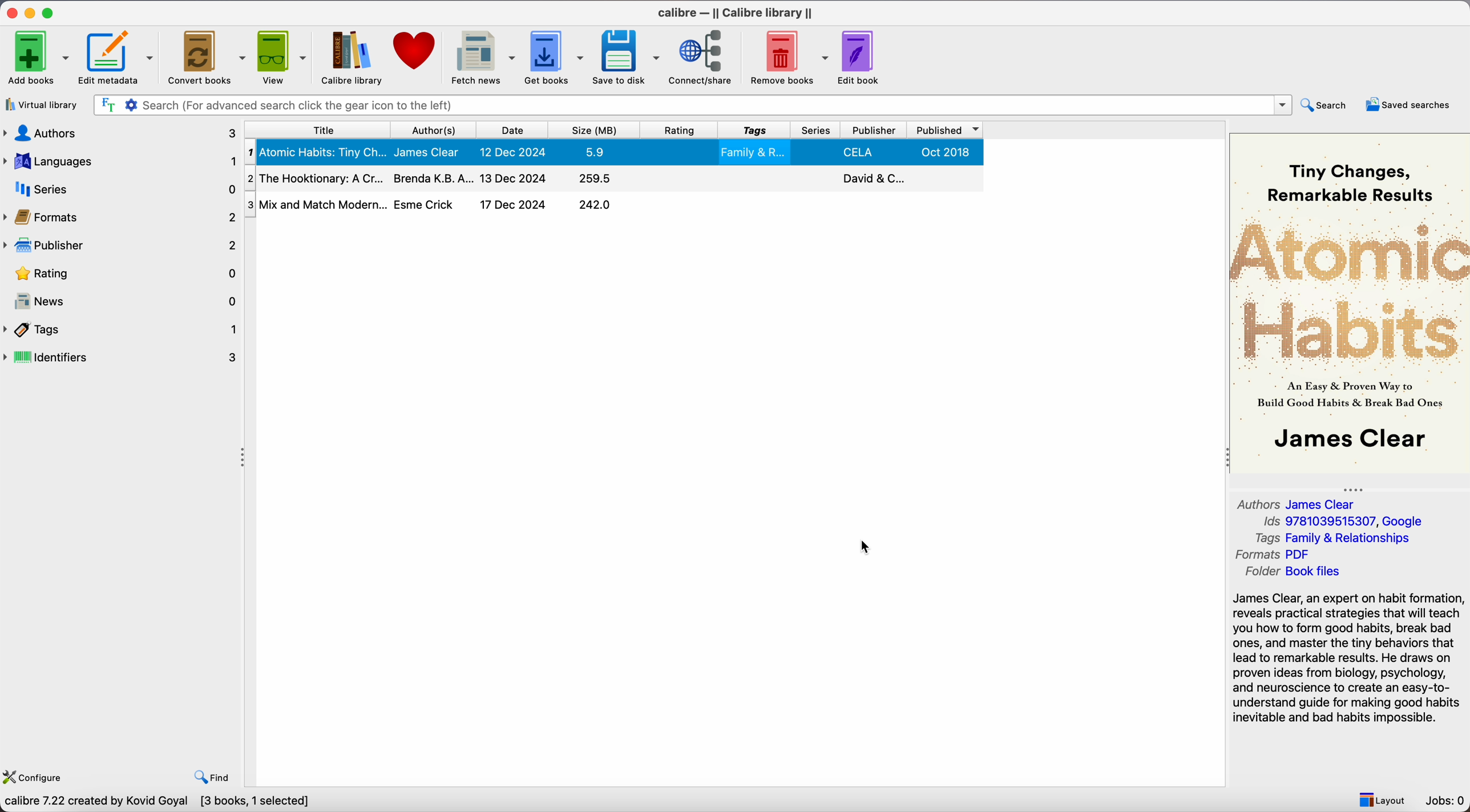  Describe the element at coordinates (433, 177) in the screenshot. I see `Brenda K.B.A...` at that location.